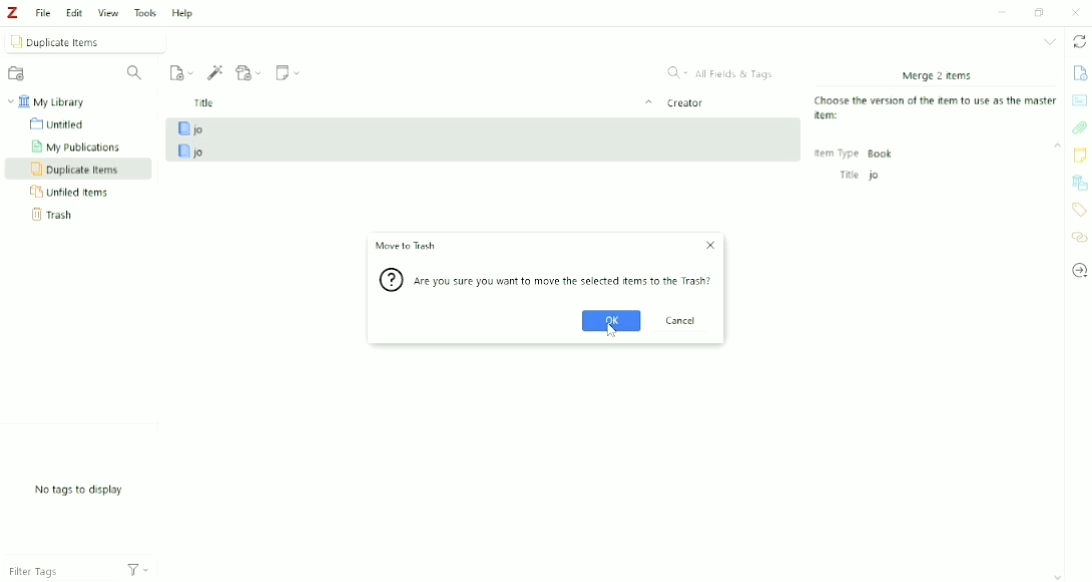 The width and height of the screenshot is (1092, 582). What do you see at coordinates (139, 571) in the screenshot?
I see `Actions` at bounding box center [139, 571].